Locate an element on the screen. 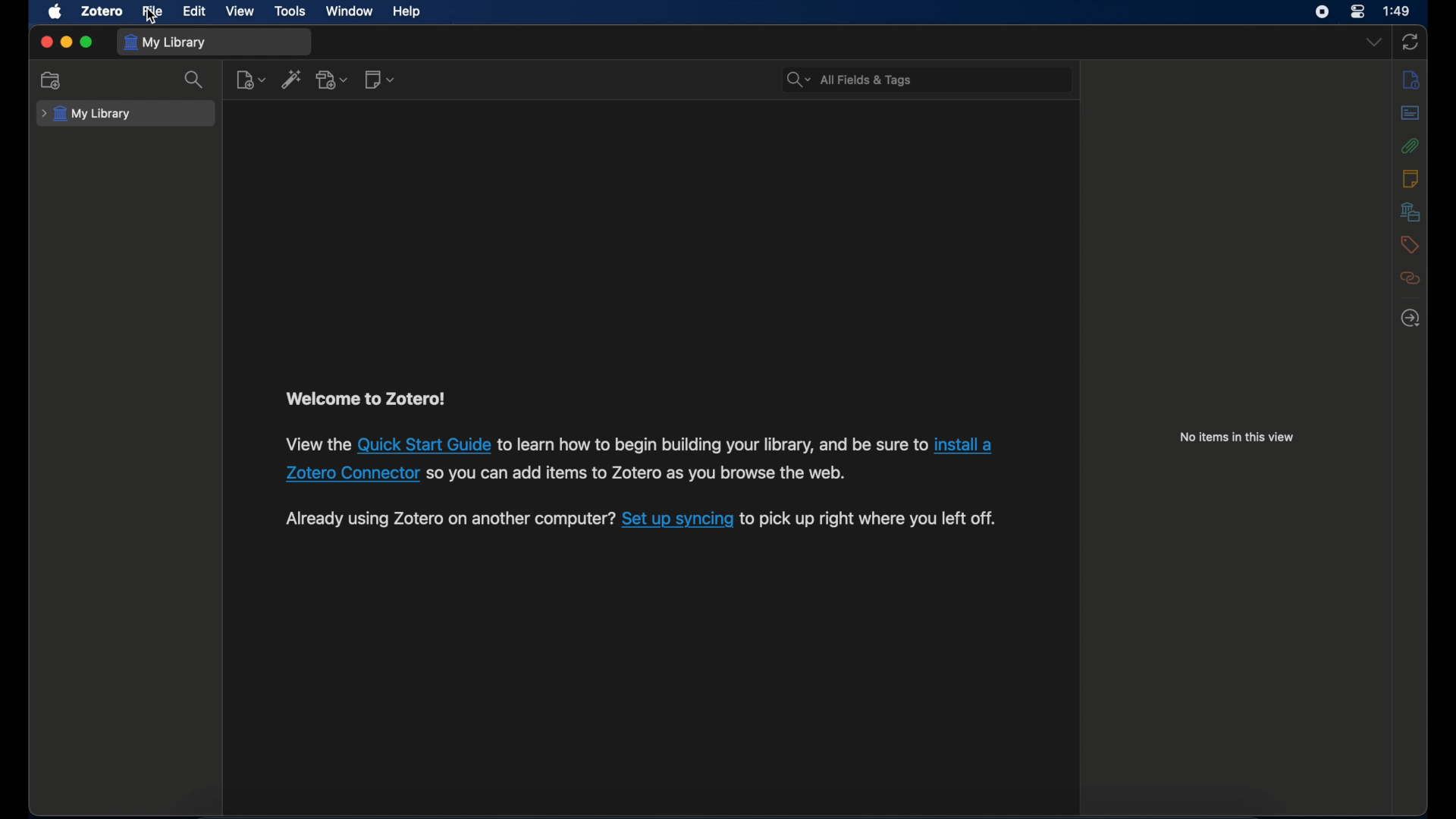  info is located at coordinates (1410, 81).